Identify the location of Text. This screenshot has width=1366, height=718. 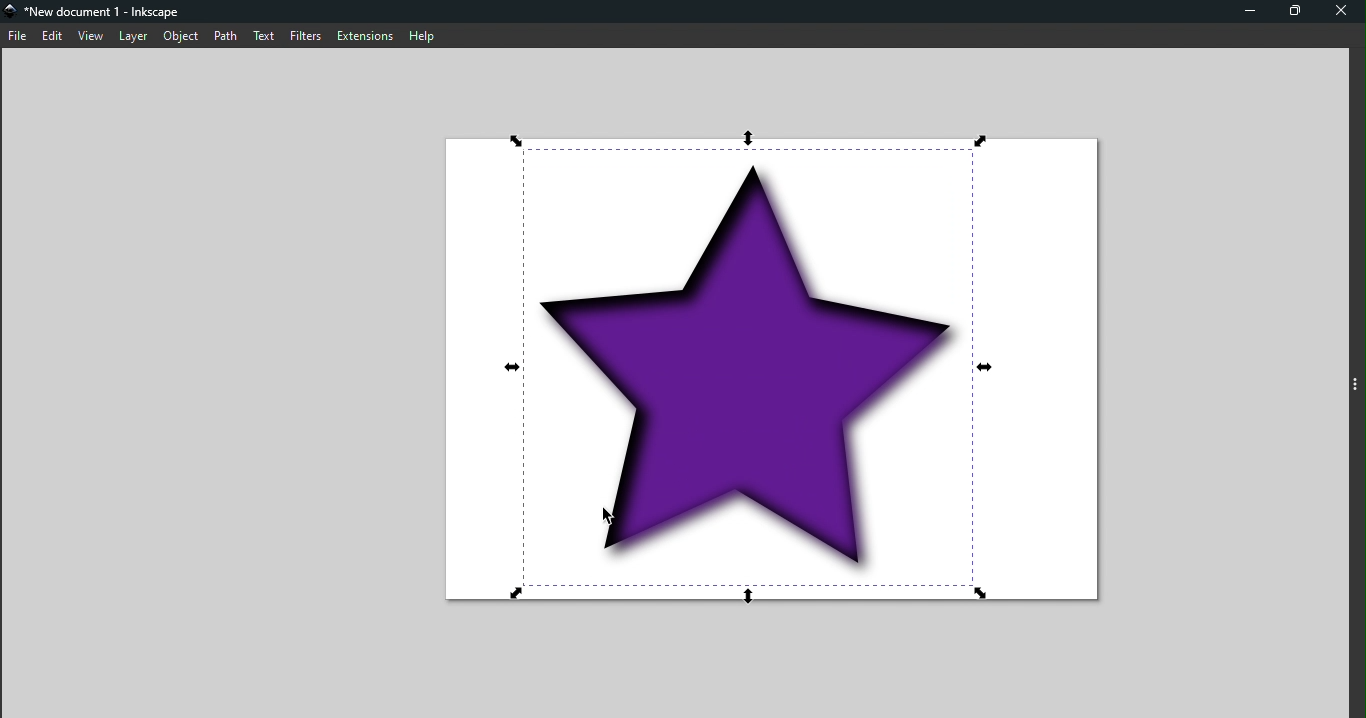
(264, 37).